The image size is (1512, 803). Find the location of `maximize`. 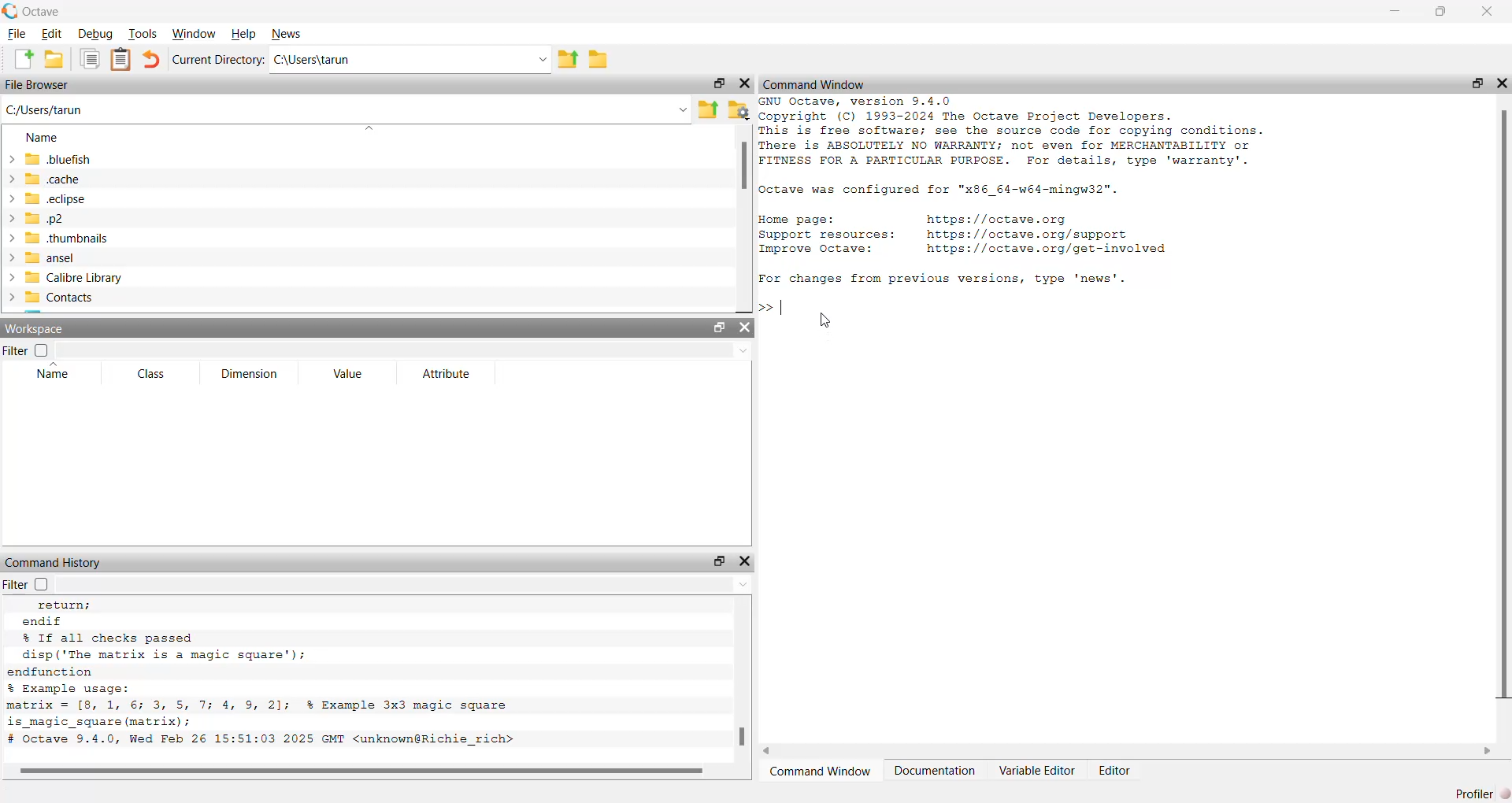

maximize is located at coordinates (1477, 83).